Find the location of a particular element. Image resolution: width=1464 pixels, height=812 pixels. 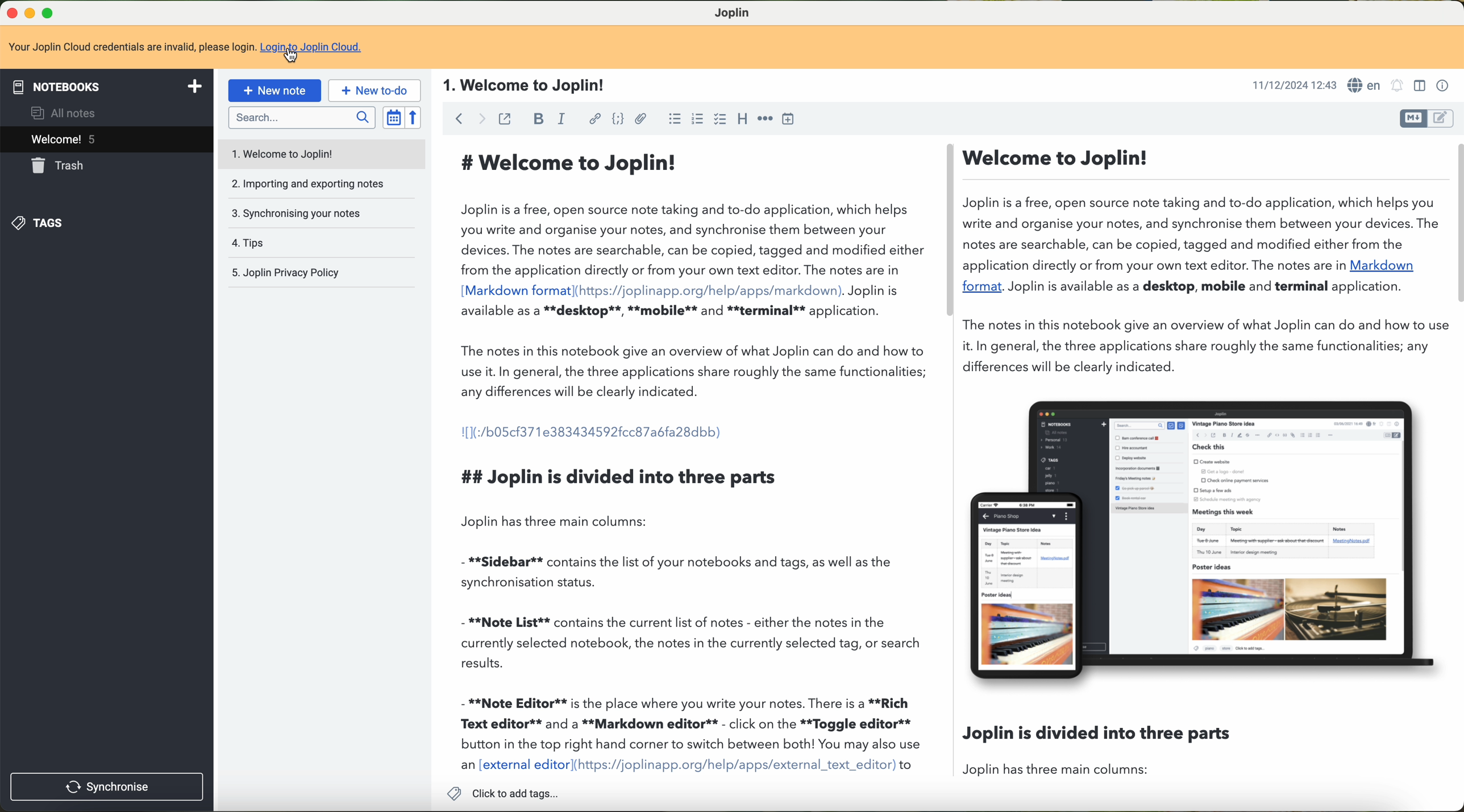

reverse sort order is located at coordinates (414, 118).